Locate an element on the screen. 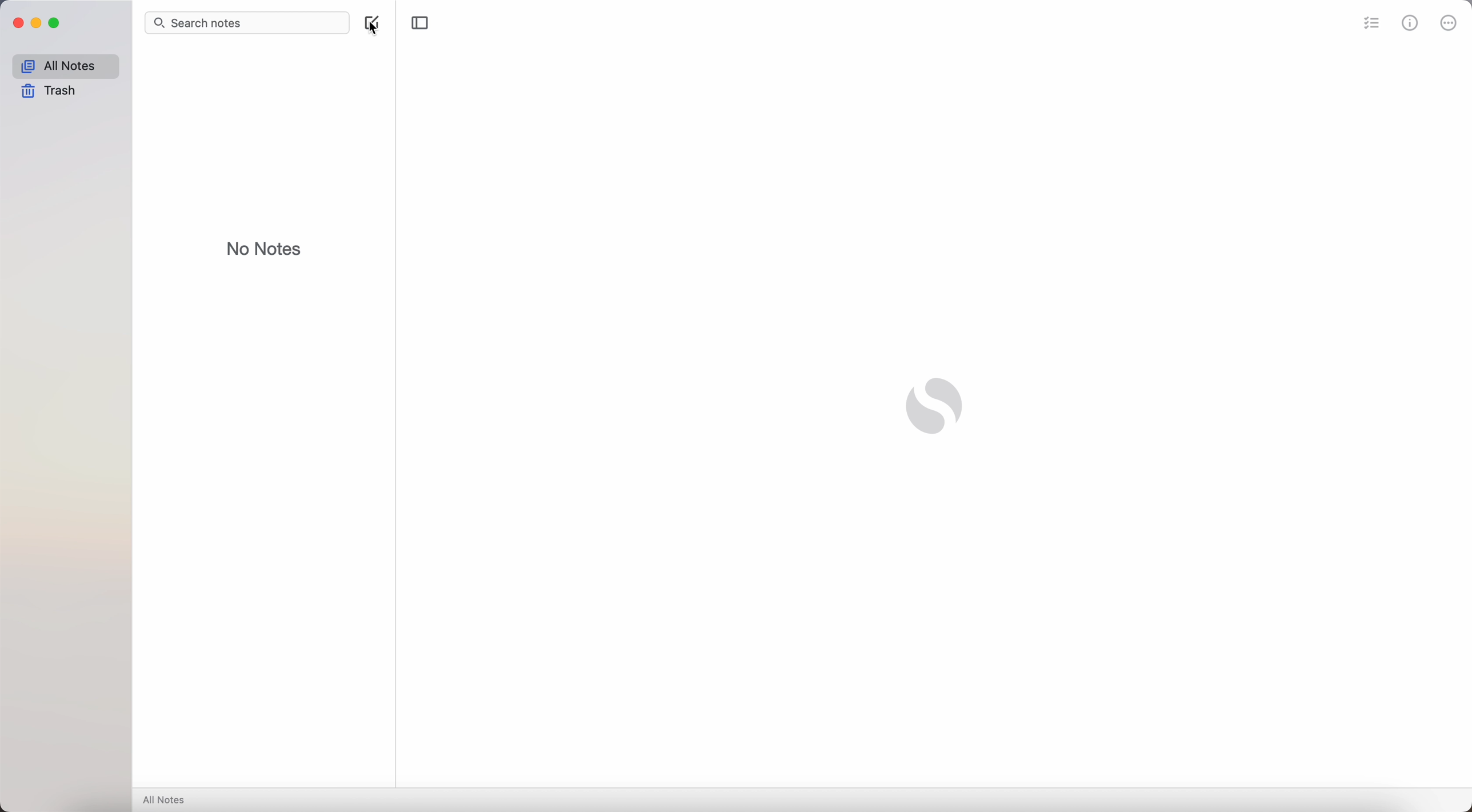  minimize is located at coordinates (36, 24).